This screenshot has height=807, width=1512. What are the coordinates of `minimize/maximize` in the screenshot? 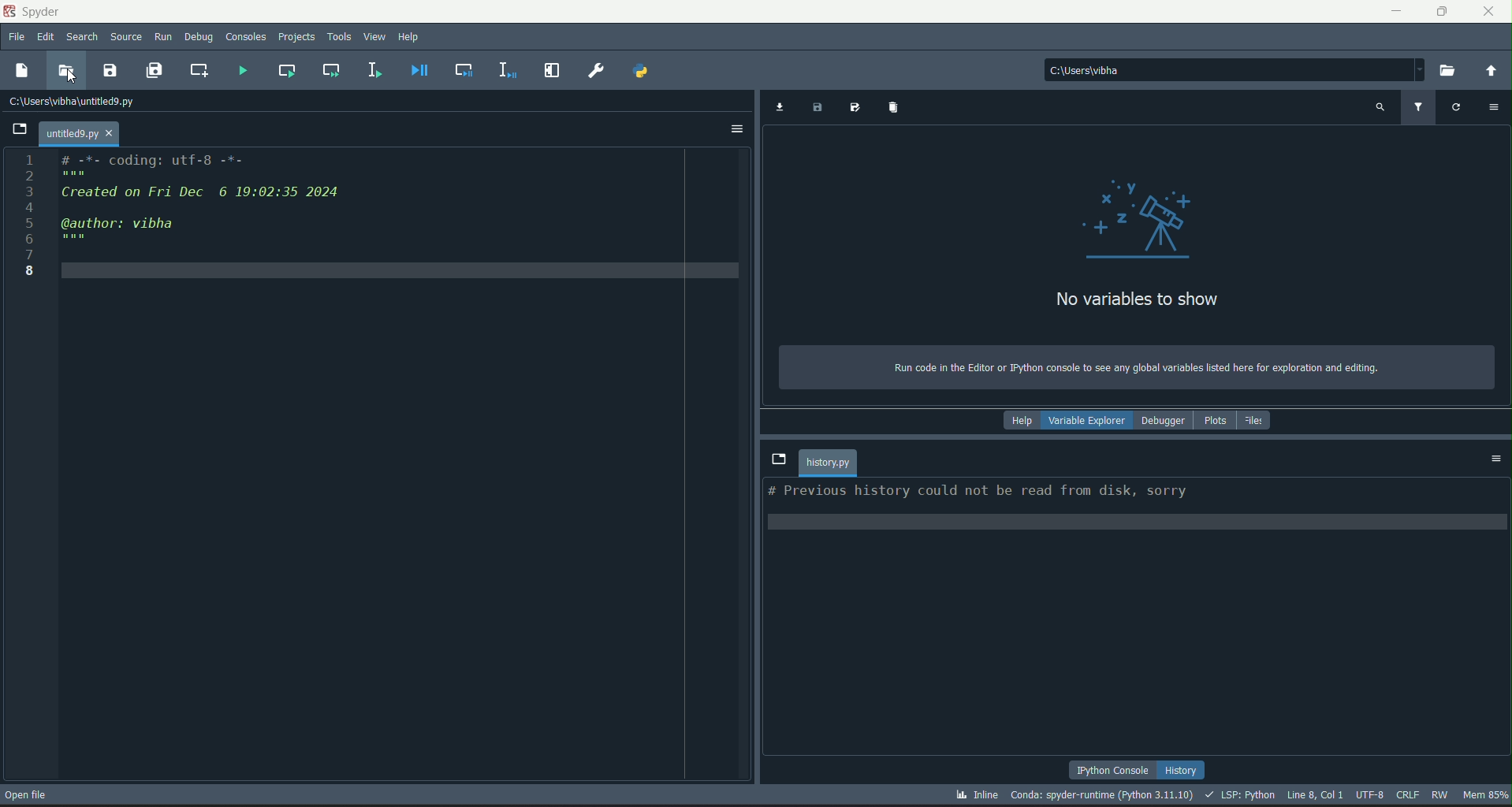 It's located at (1439, 12).